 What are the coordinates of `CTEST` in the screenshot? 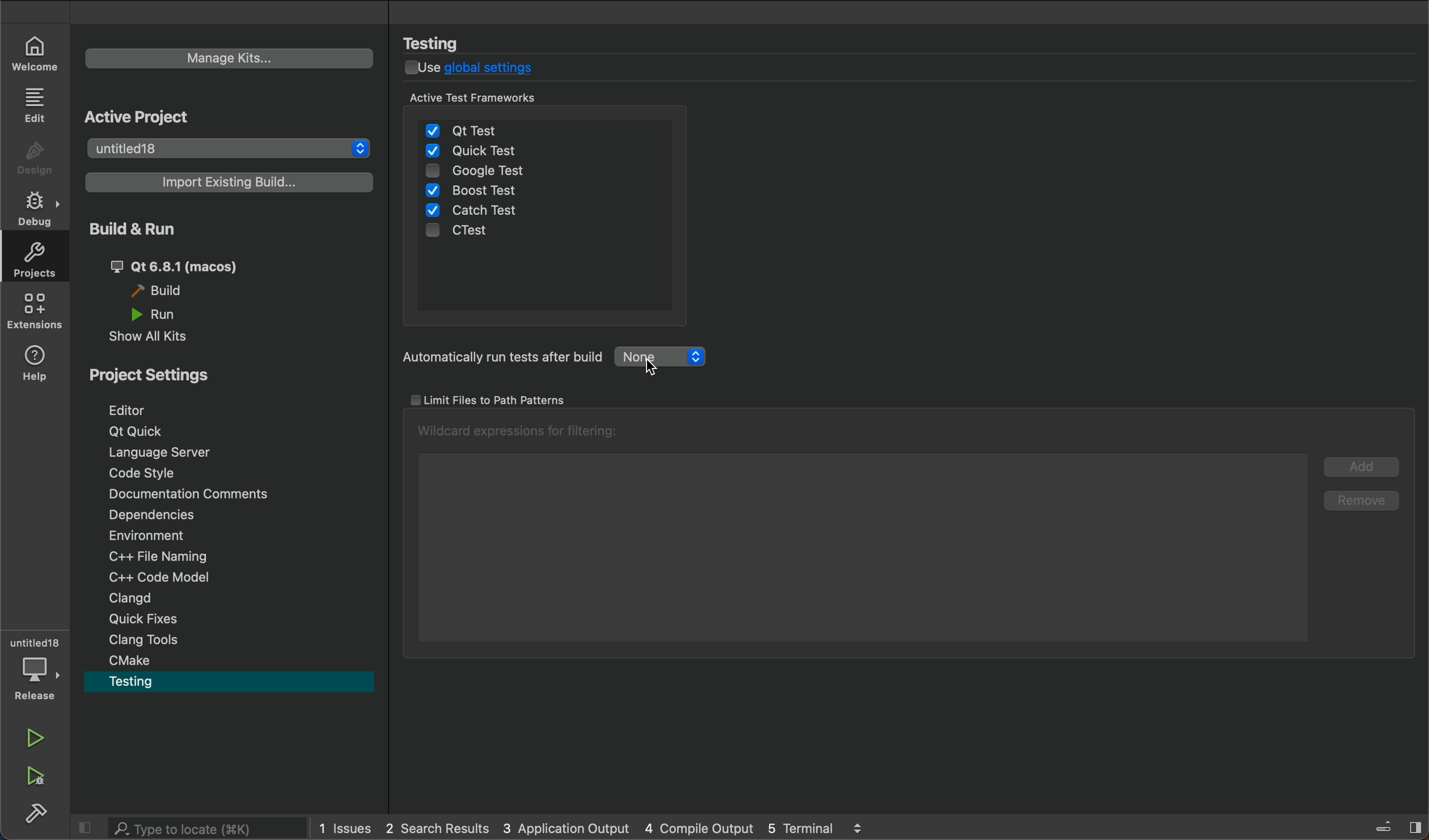 It's located at (469, 233).